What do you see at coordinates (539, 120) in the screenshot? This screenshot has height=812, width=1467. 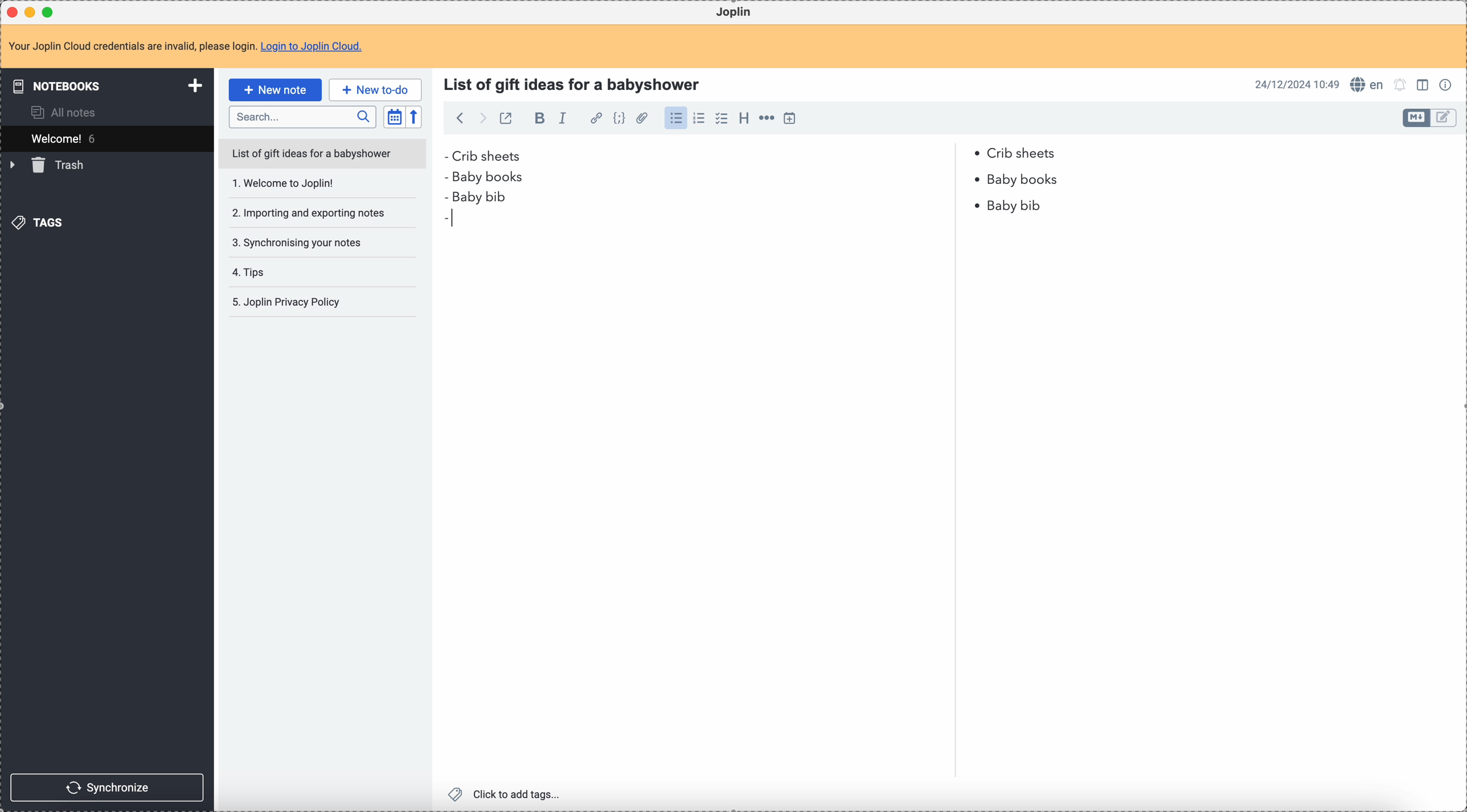 I see `bold` at bounding box center [539, 120].